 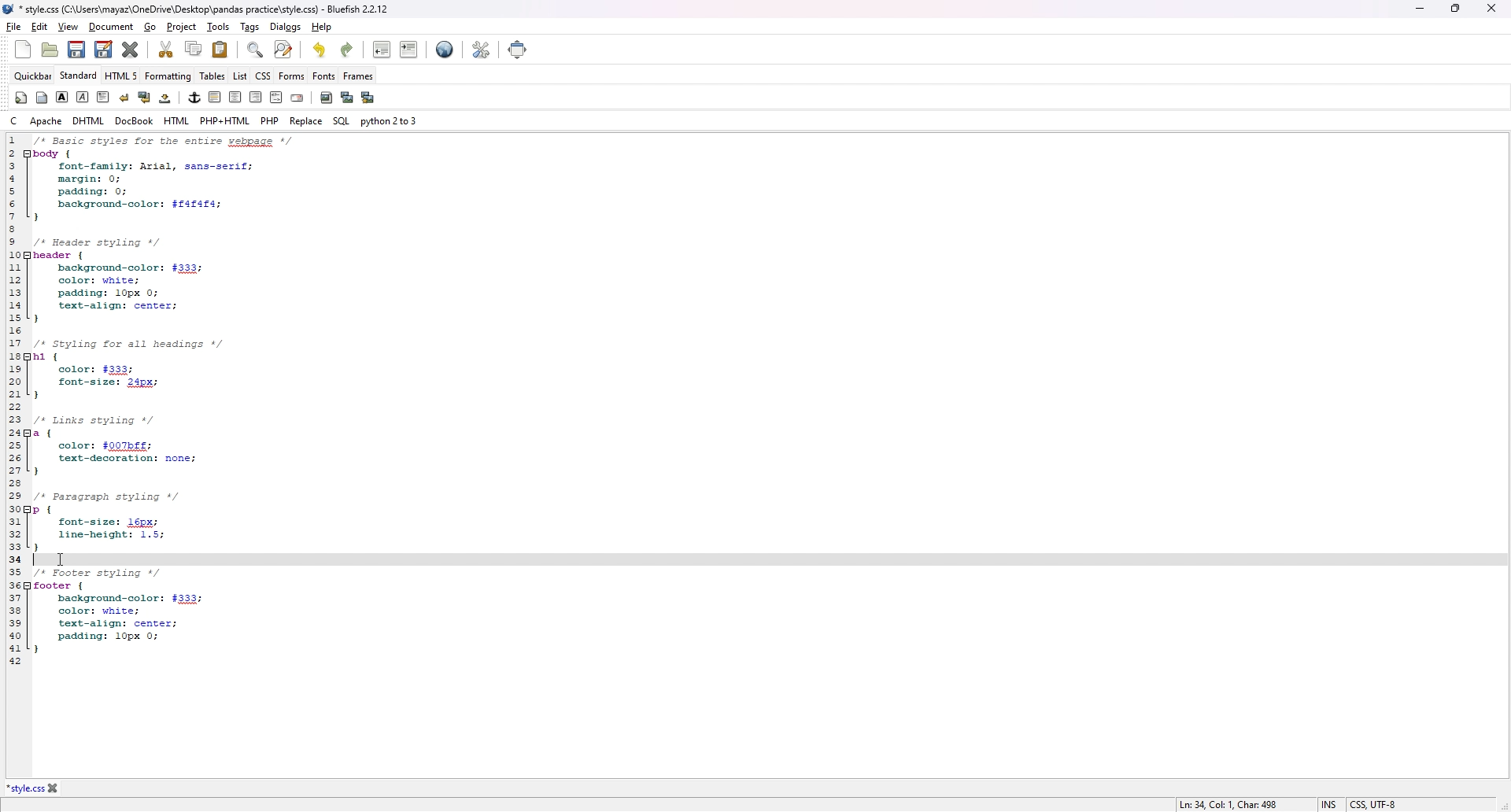 I want to click on Cursor, so click(x=63, y=560).